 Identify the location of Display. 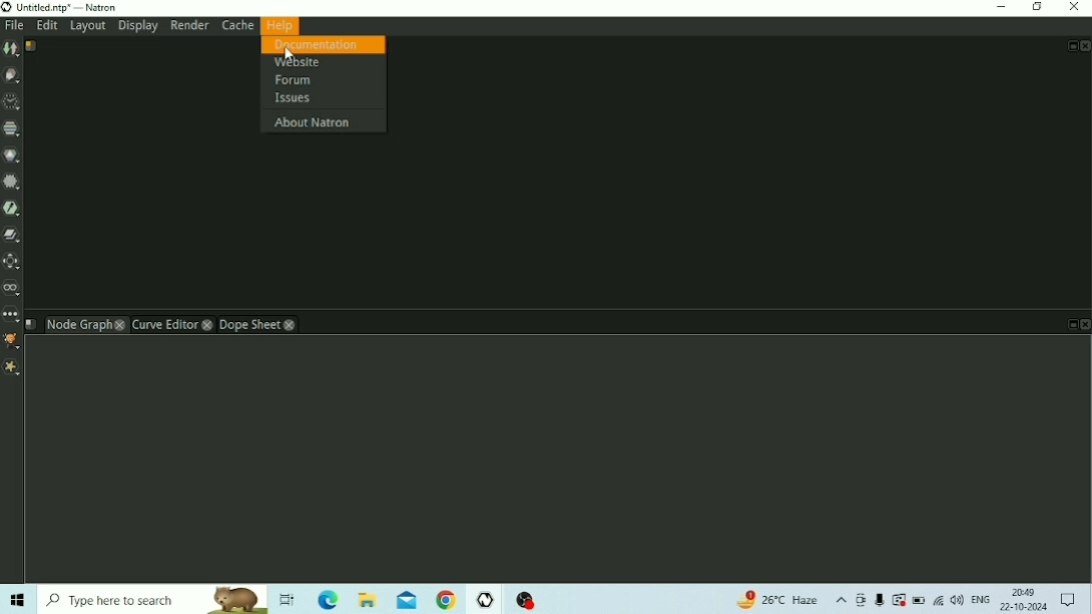
(136, 27).